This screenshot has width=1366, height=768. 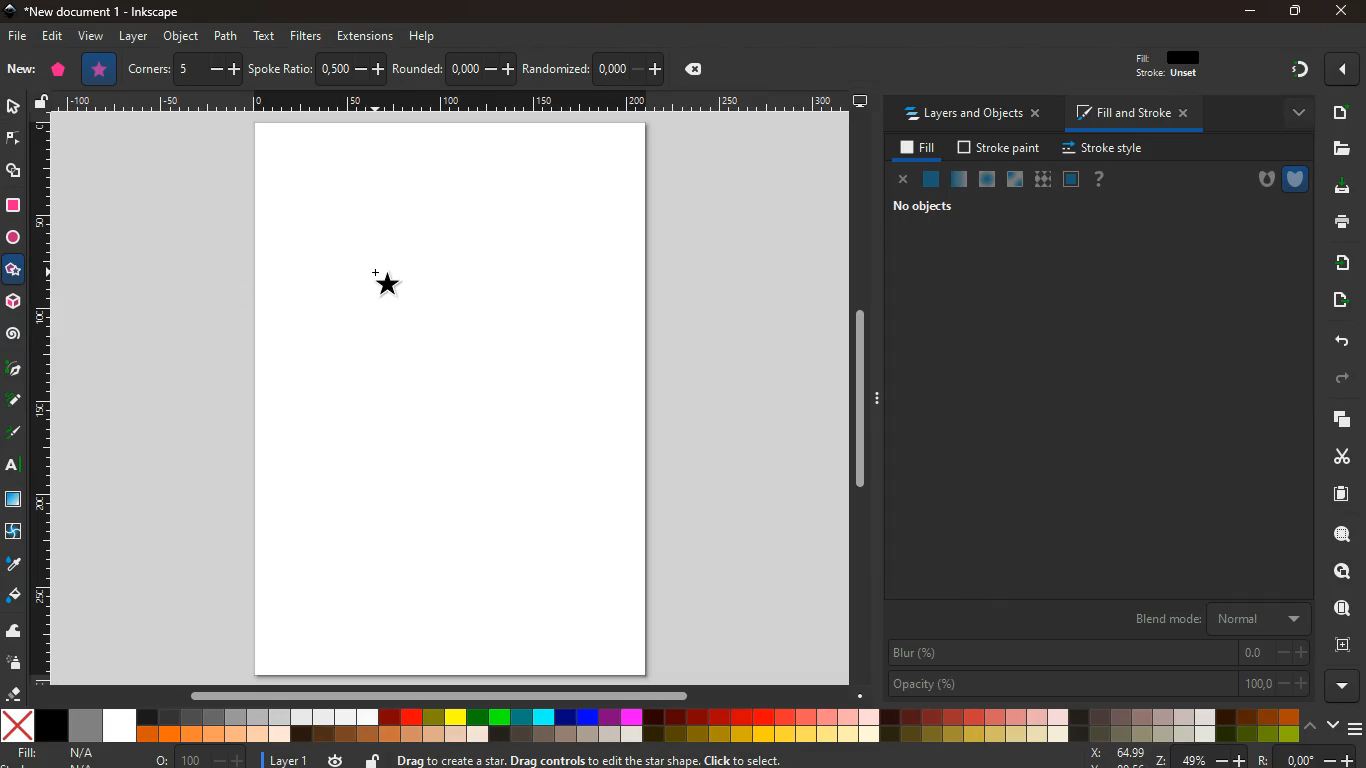 What do you see at coordinates (1106, 149) in the screenshot?
I see `stroke style` at bounding box center [1106, 149].